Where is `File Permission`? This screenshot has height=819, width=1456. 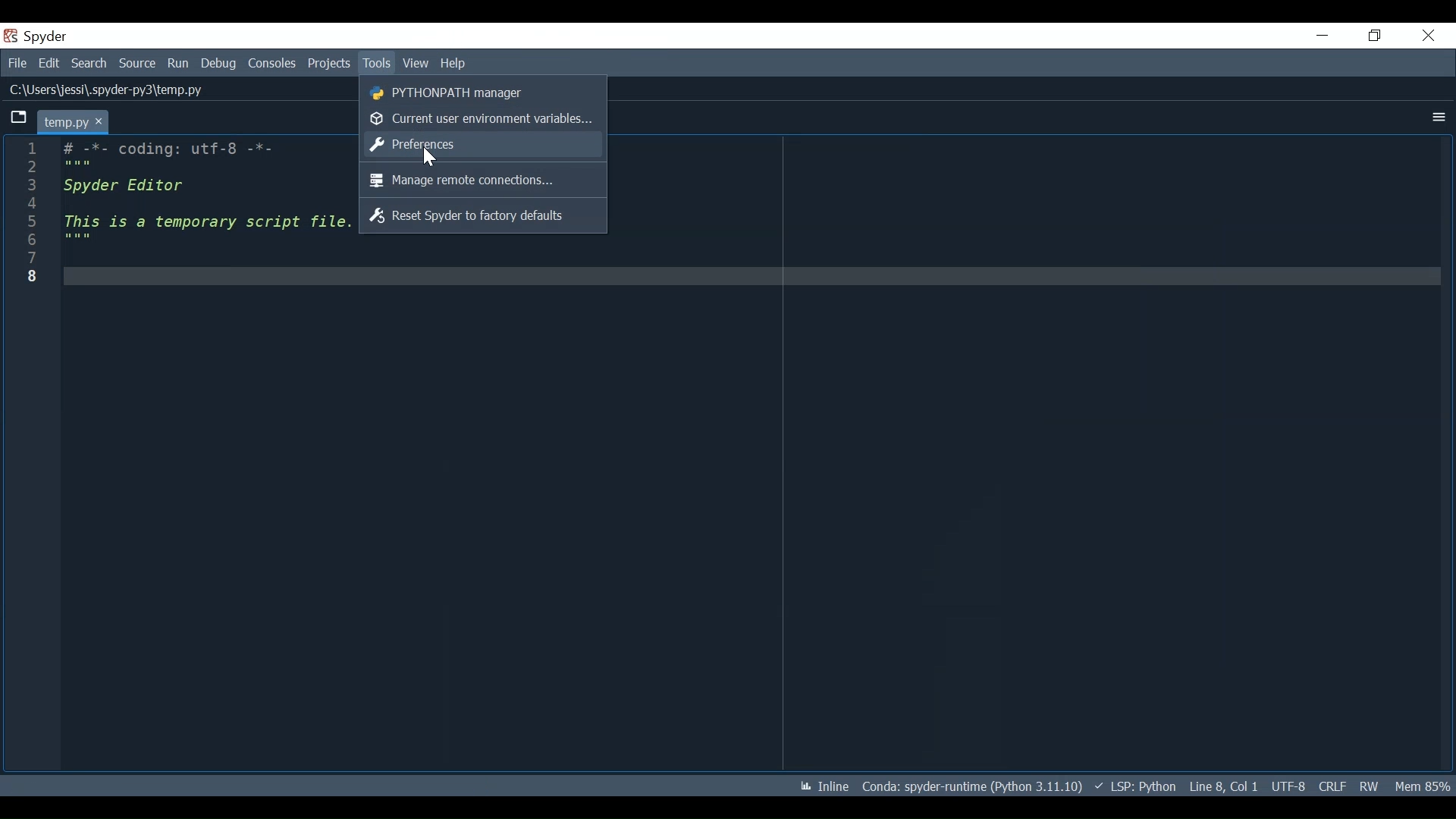 File Permission is located at coordinates (1369, 786).